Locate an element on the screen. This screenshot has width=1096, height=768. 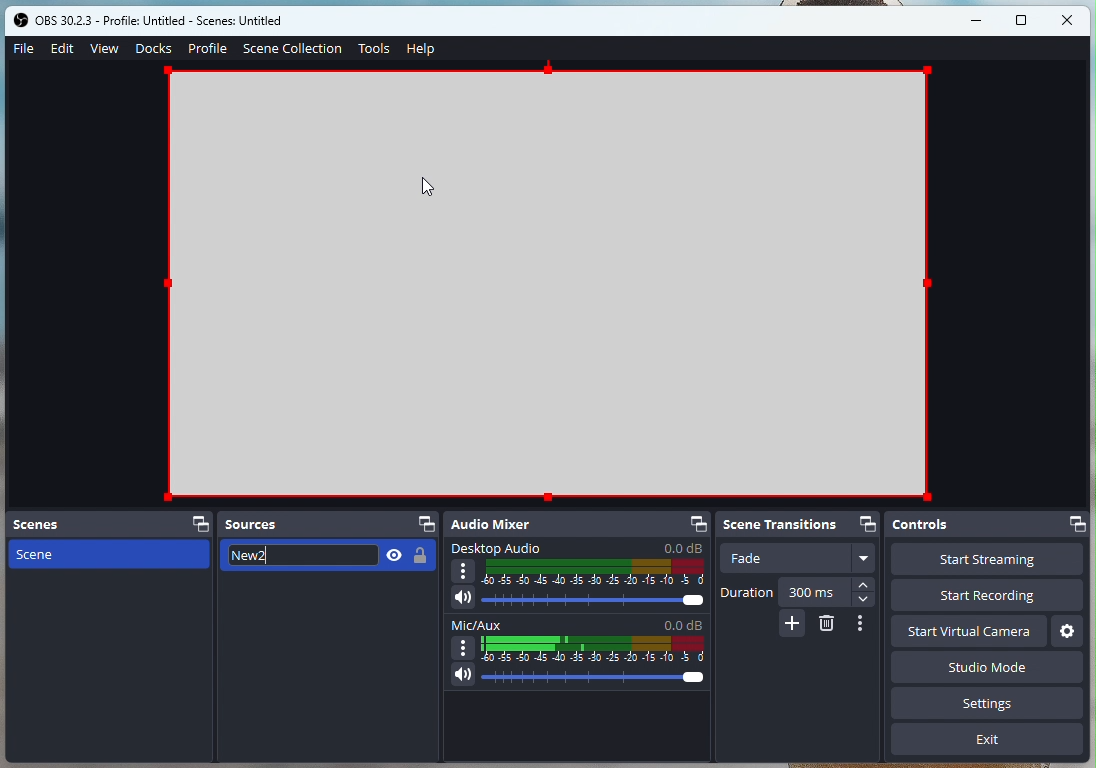
close is located at coordinates (1068, 19).